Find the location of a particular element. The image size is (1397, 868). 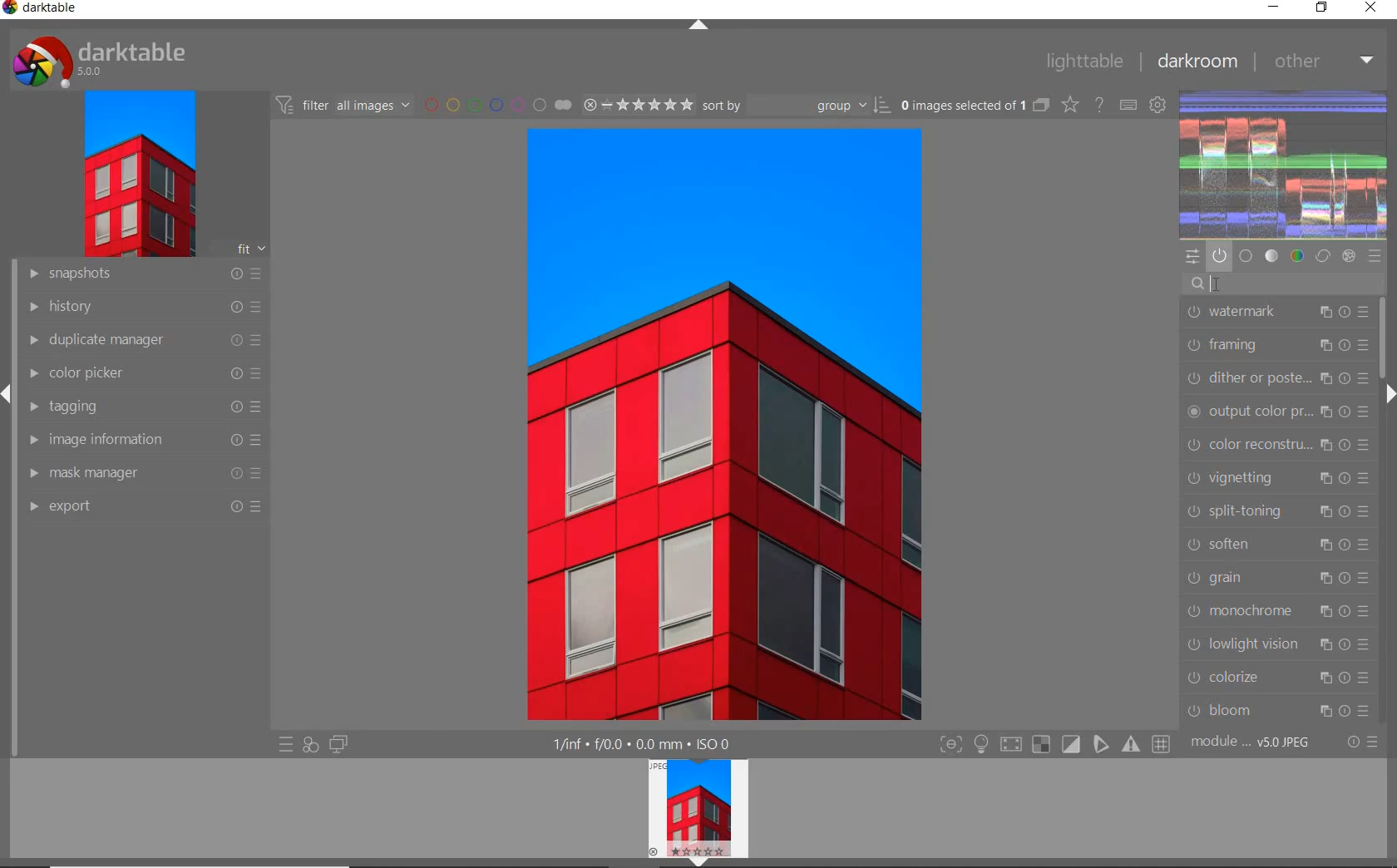

quick access panel is located at coordinates (1193, 257).